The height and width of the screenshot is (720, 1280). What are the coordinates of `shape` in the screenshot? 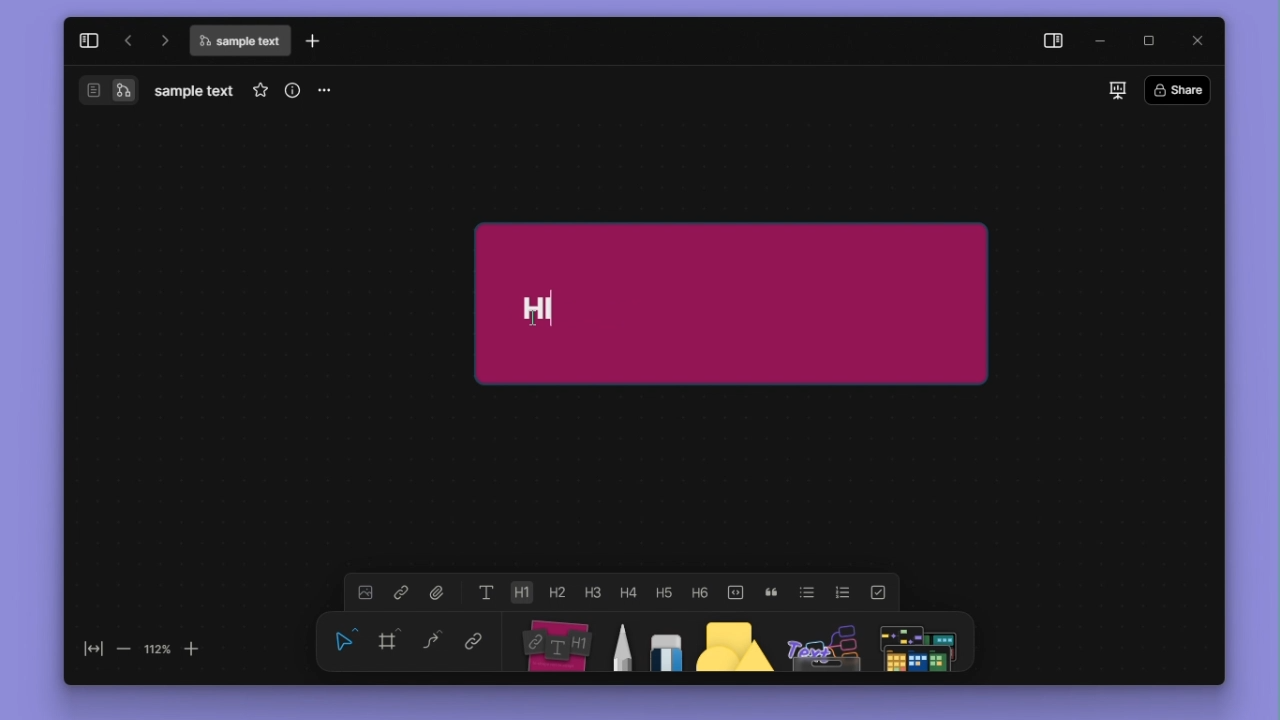 It's located at (734, 642).